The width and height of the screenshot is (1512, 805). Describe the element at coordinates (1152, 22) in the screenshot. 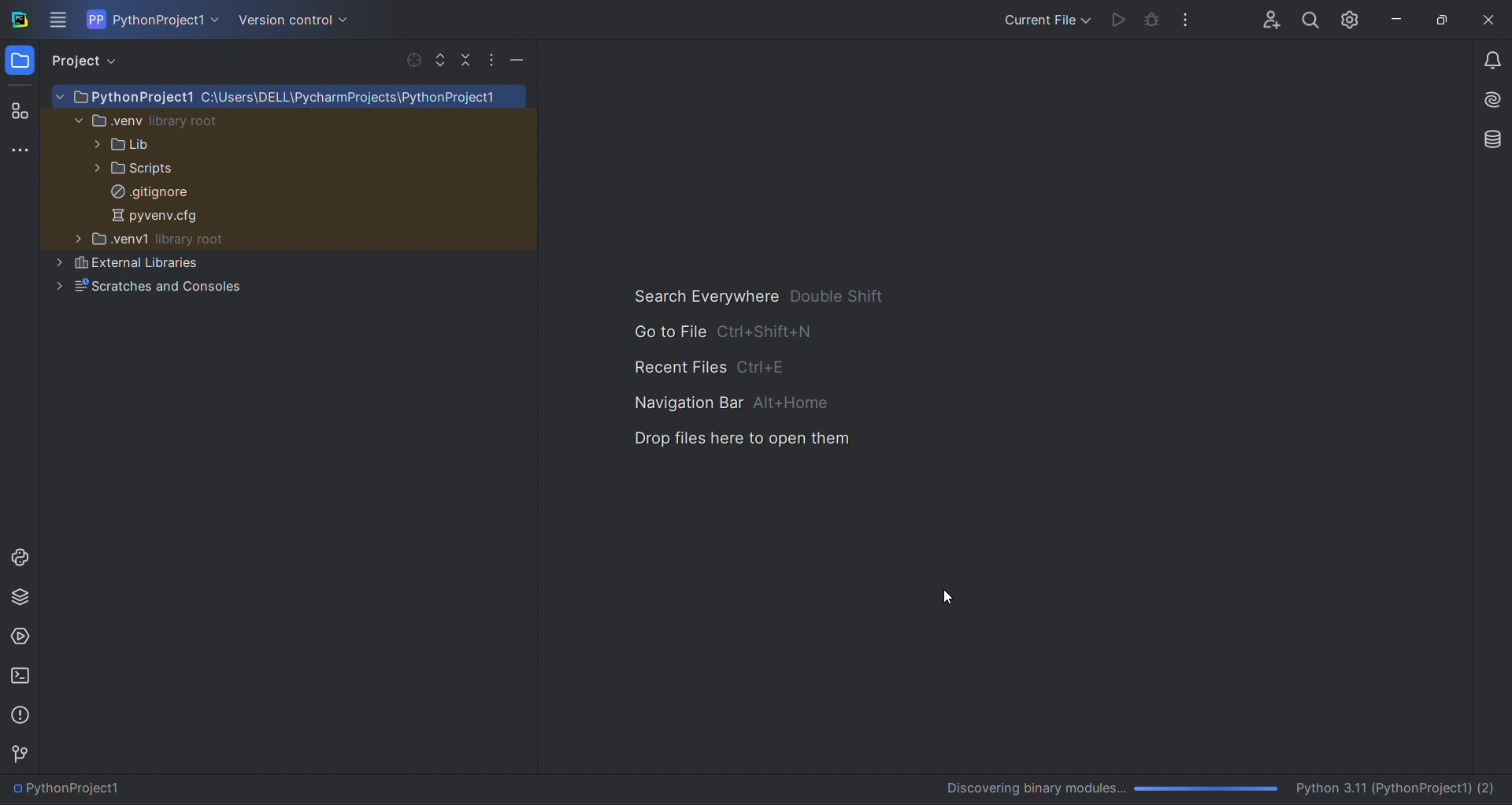

I see `debug` at that location.